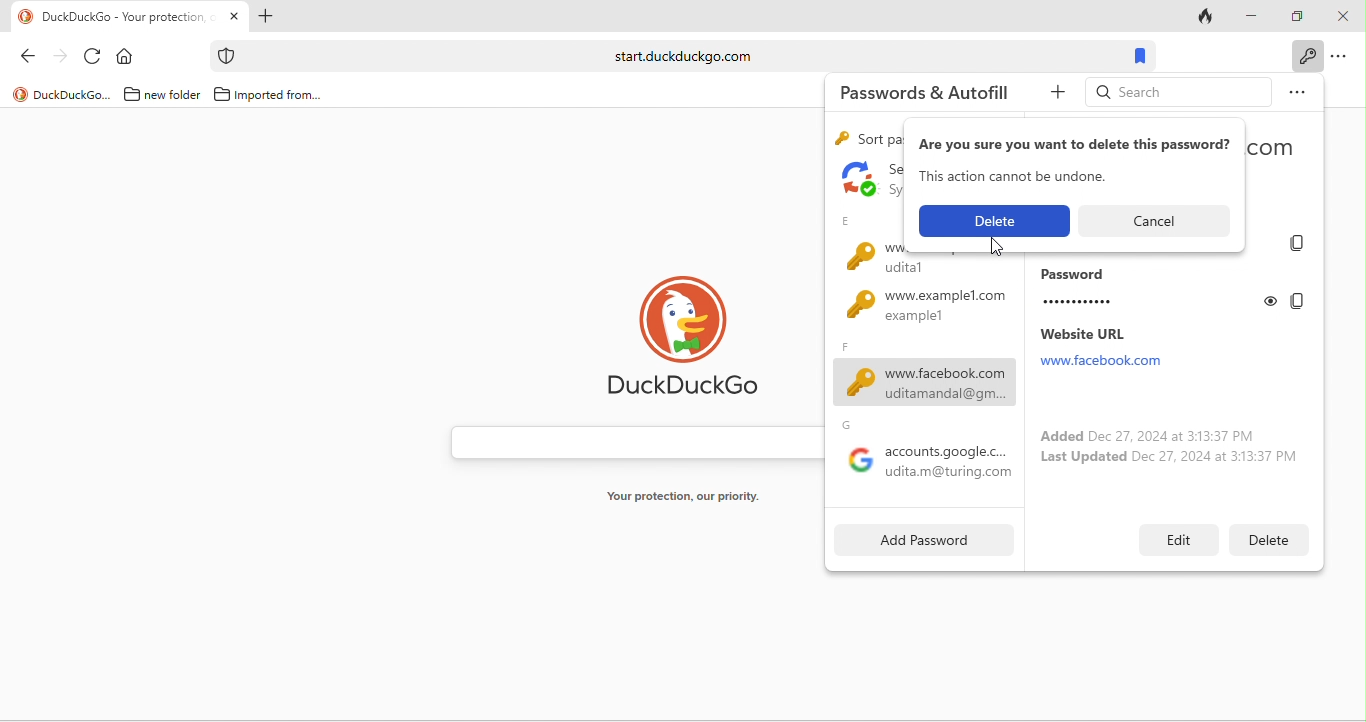 The image size is (1366, 722). I want to click on minimize, so click(1253, 16).